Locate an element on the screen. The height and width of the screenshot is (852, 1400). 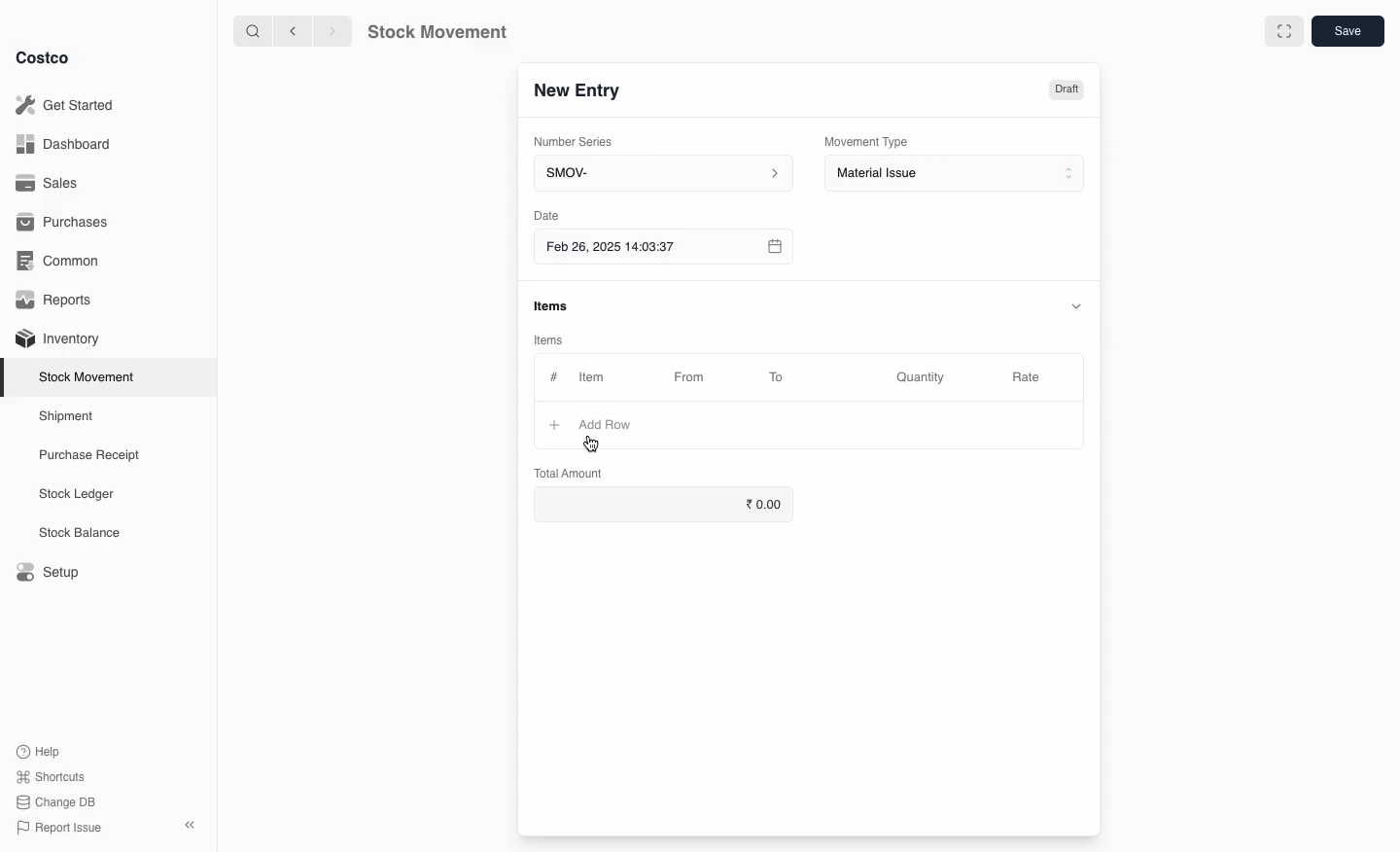
Feb 26, 2025 14:03:37 is located at coordinates (662, 248).